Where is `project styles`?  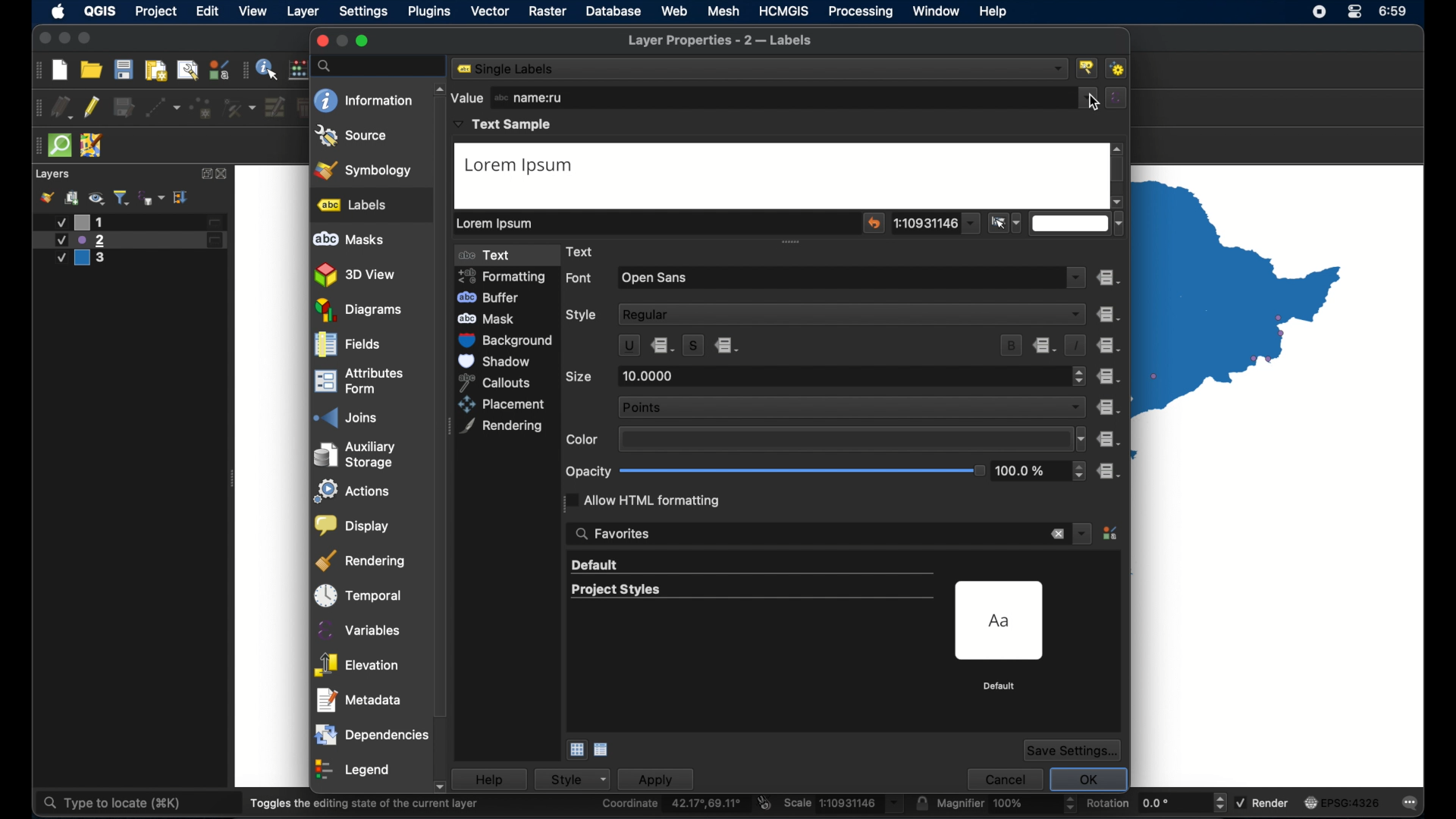 project styles is located at coordinates (614, 590).